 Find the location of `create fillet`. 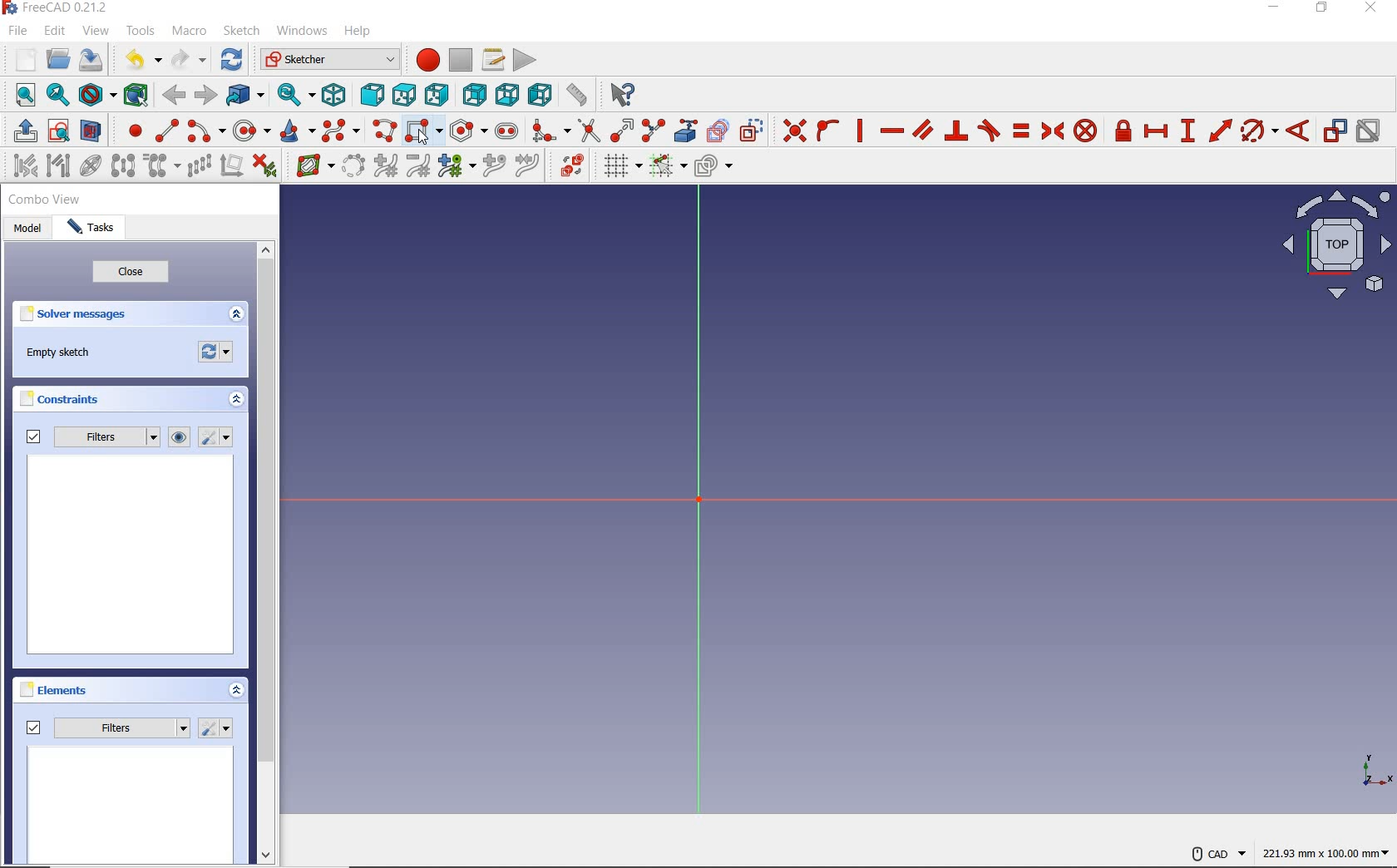

create fillet is located at coordinates (549, 131).